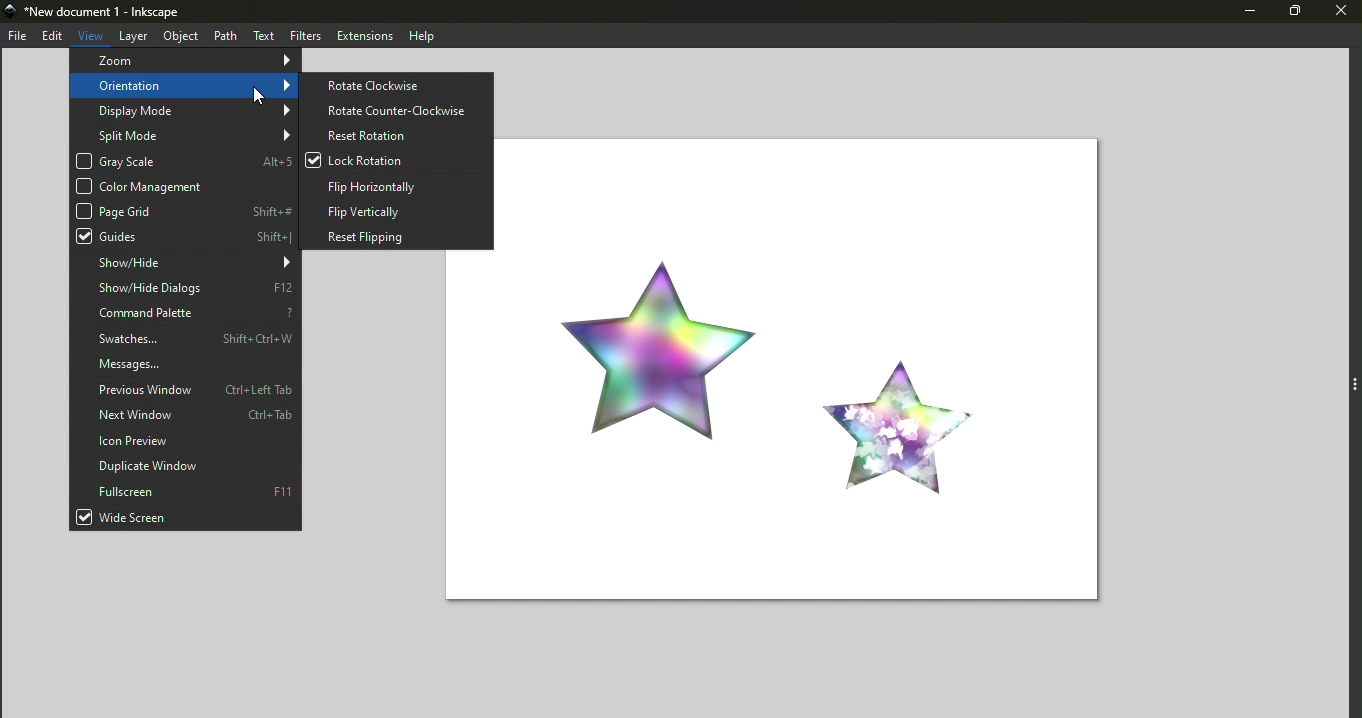 This screenshot has width=1362, height=718. Describe the element at coordinates (397, 209) in the screenshot. I see `Flip vertically` at that location.